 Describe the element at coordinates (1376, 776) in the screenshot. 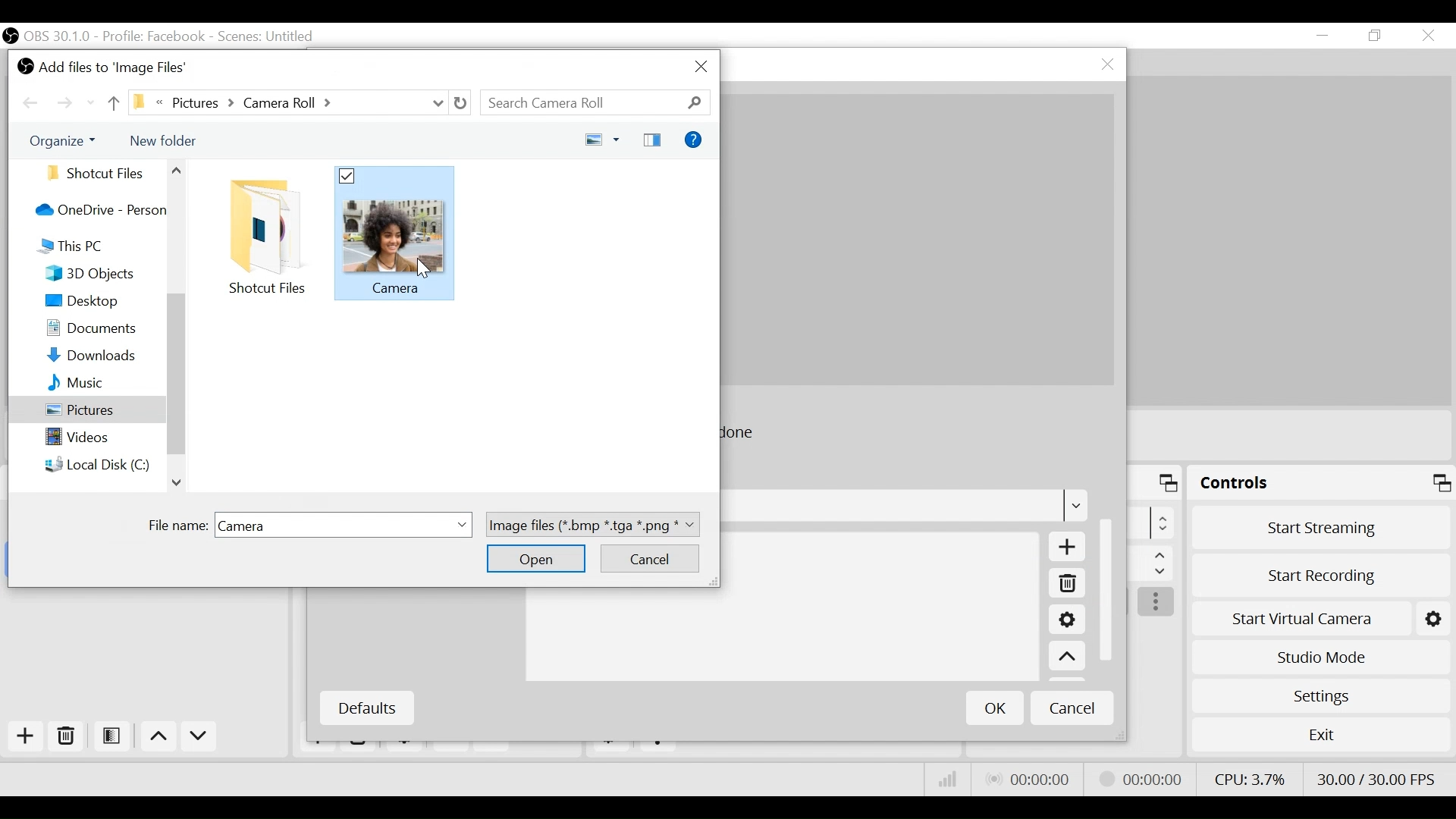

I see `Frame Per Second` at that location.